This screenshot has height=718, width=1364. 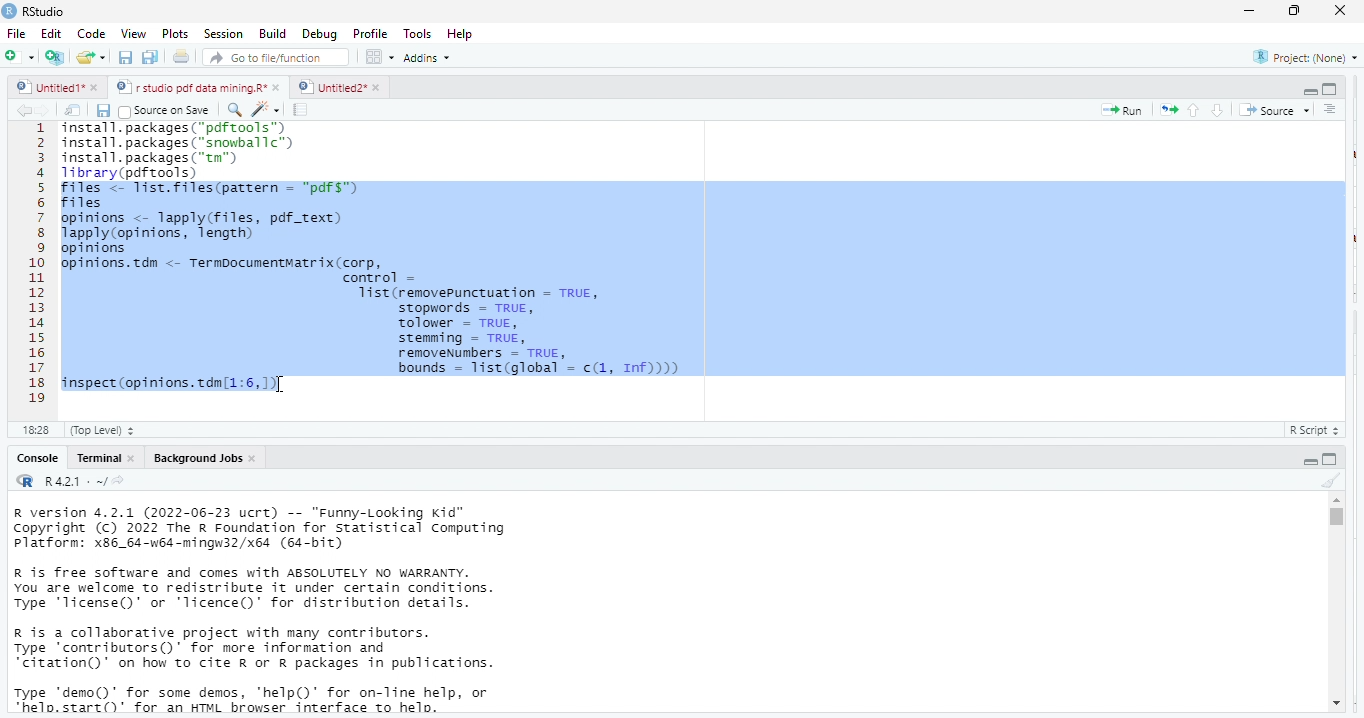 What do you see at coordinates (190, 88) in the screenshot?
I see `rs studio pdf data mining r` at bounding box center [190, 88].